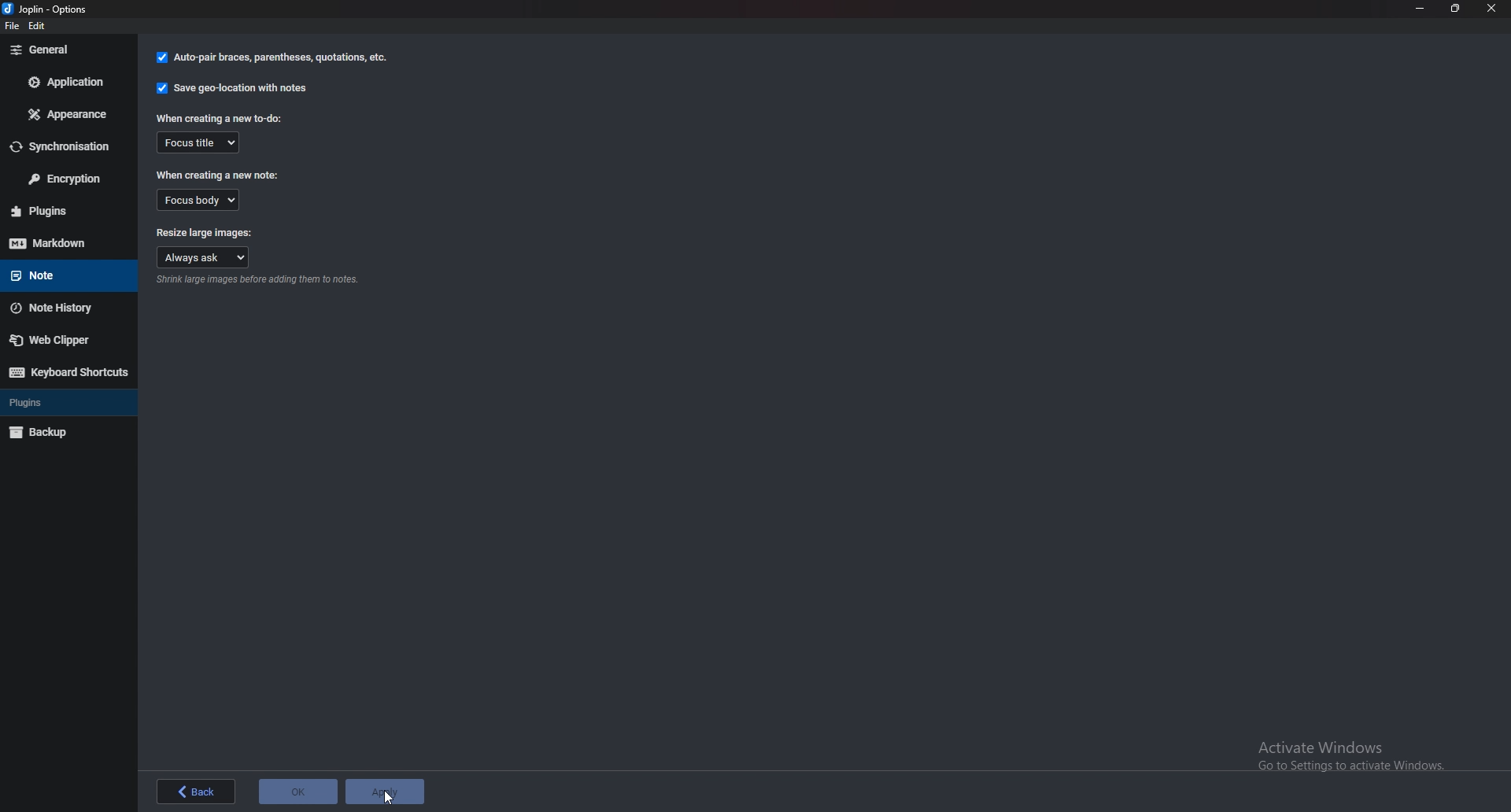 Image resolution: width=1511 pixels, height=812 pixels. Describe the element at coordinates (49, 8) in the screenshot. I see `options` at that location.